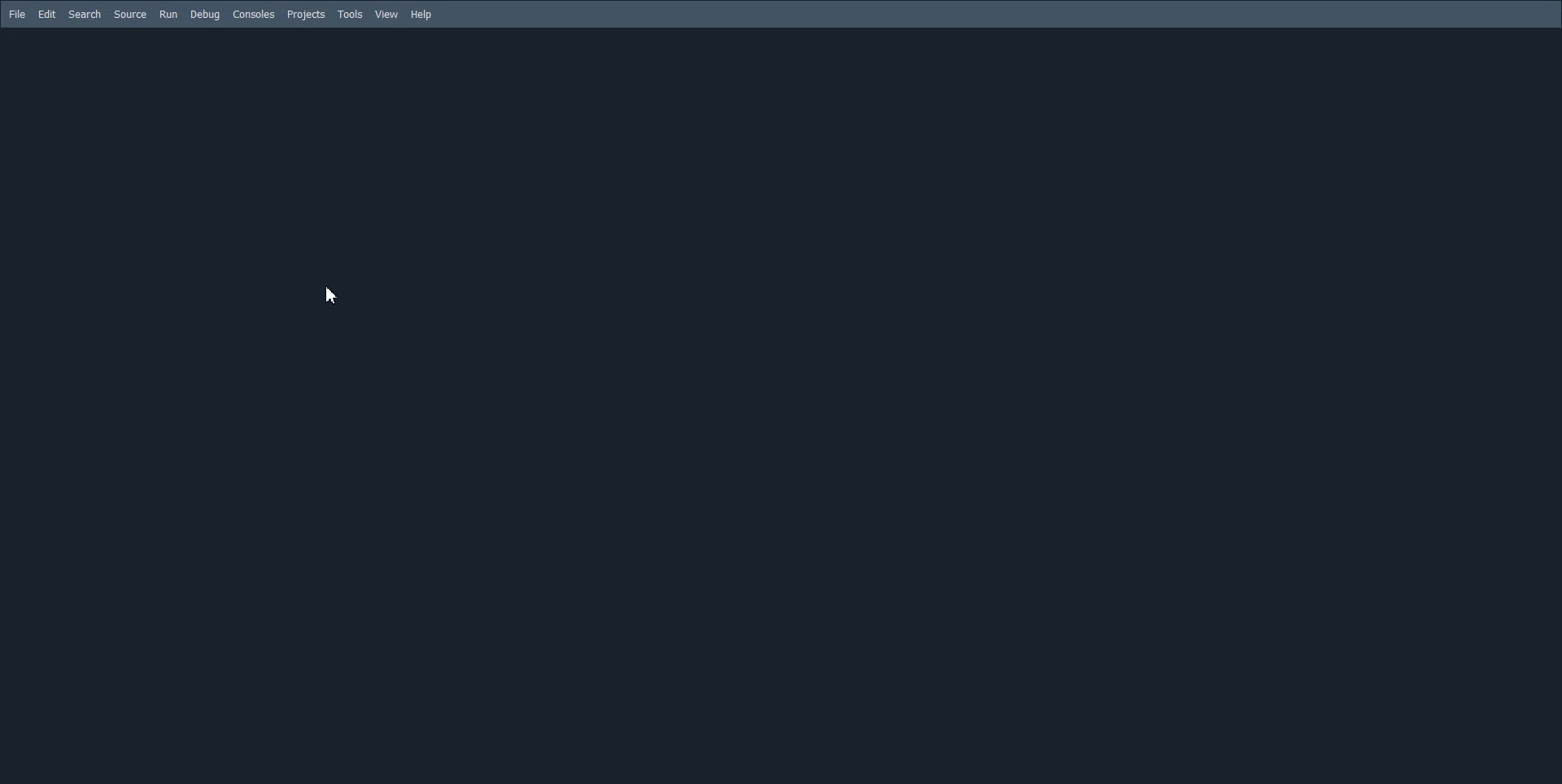 The height and width of the screenshot is (784, 1562). What do you see at coordinates (130, 14) in the screenshot?
I see `Source` at bounding box center [130, 14].